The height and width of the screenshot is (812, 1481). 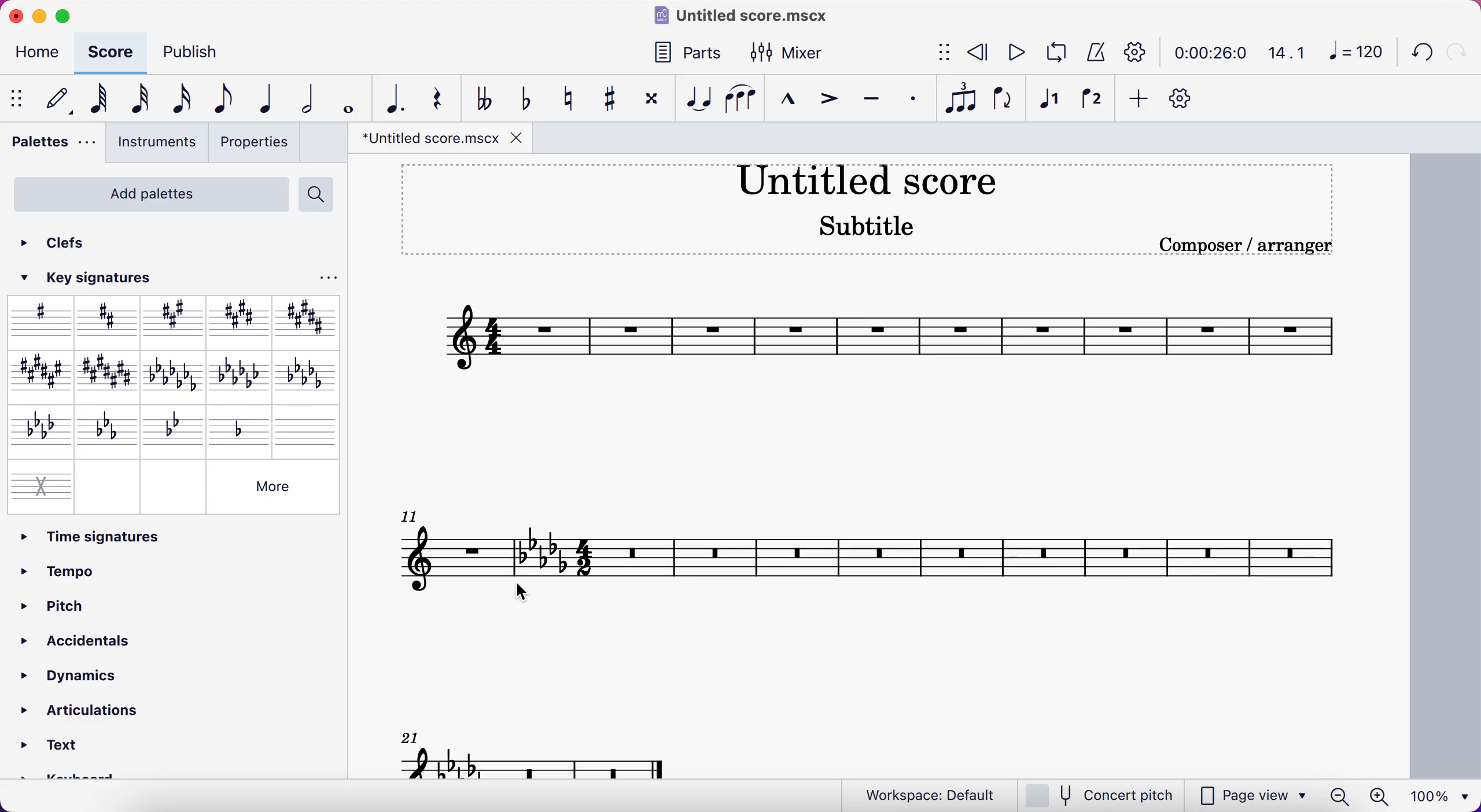 I want to click on file tab, so click(x=441, y=139).